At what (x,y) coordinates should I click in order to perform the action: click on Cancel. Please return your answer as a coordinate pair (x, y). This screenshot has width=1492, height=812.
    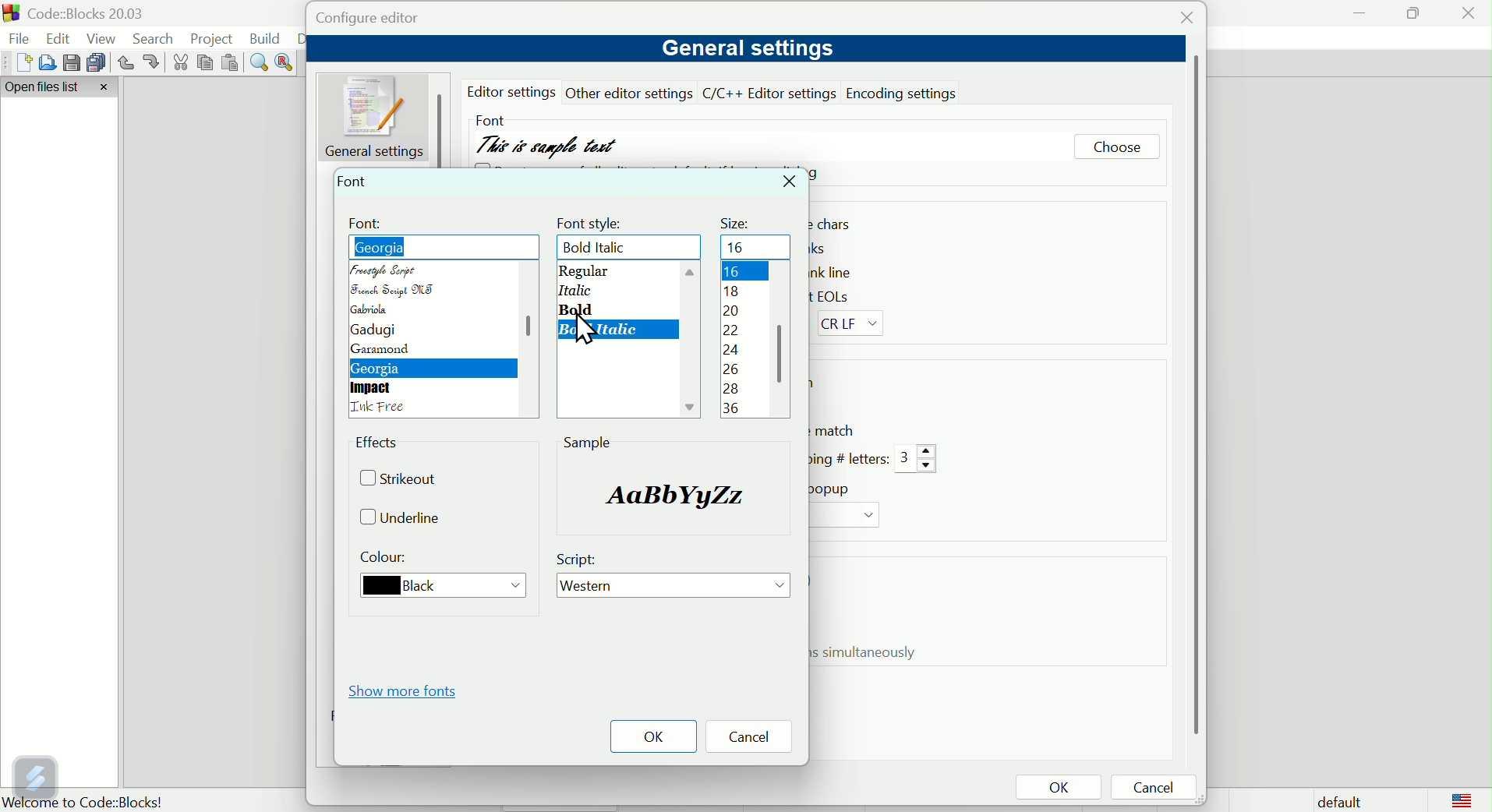
    Looking at the image, I should click on (1158, 789).